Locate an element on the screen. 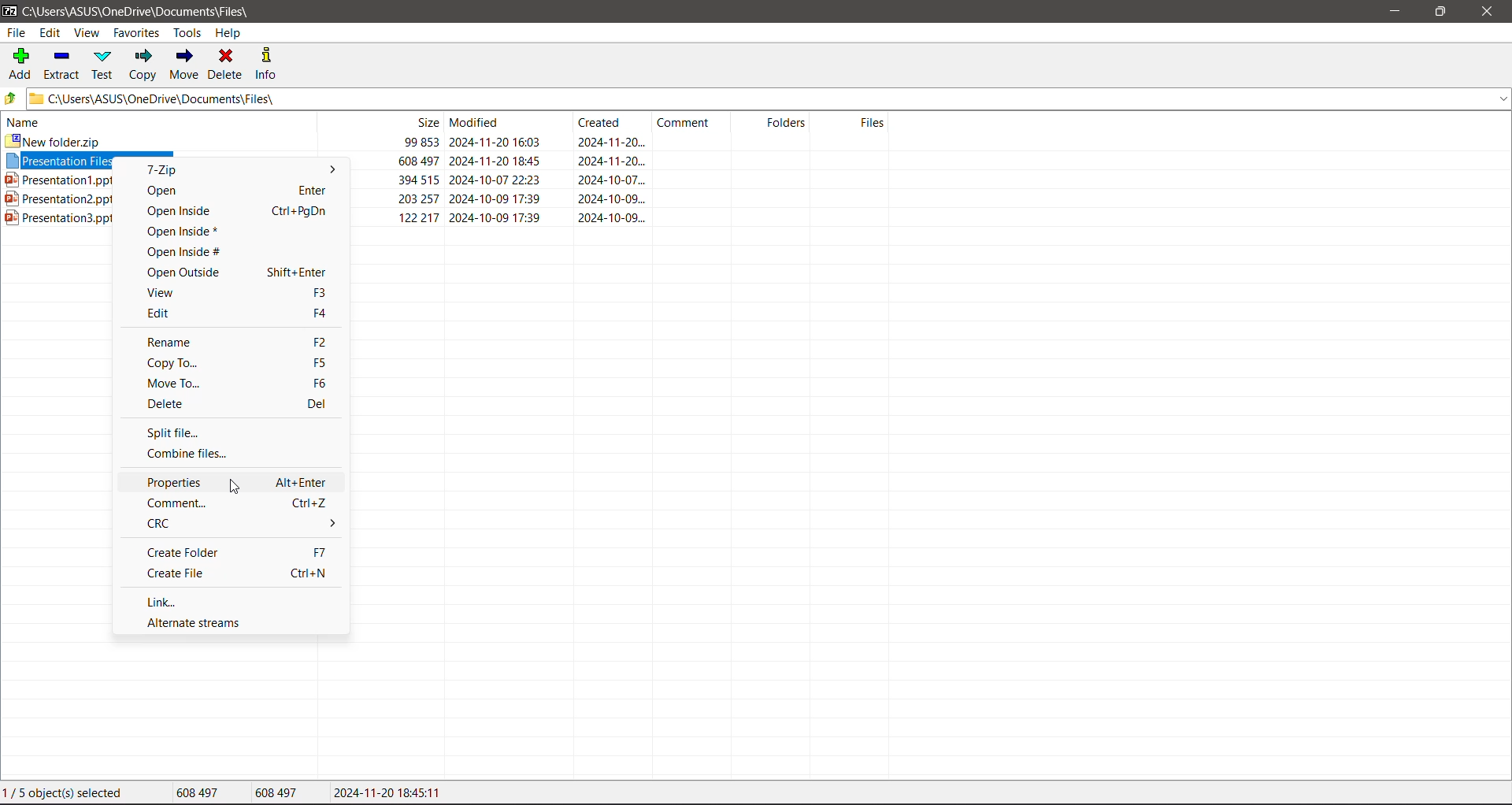  Application Logo is located at coordinates (11, 9).